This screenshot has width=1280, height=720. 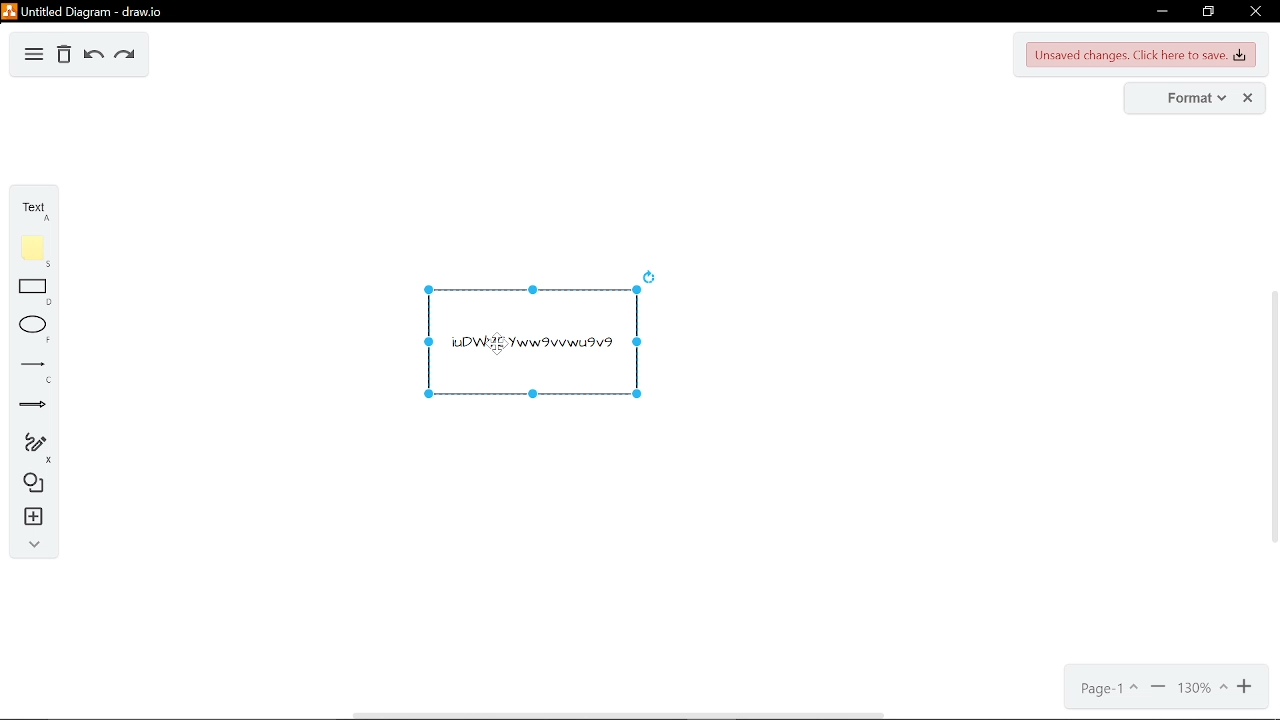 I want to click on diagram, so click(x=34, y=56).